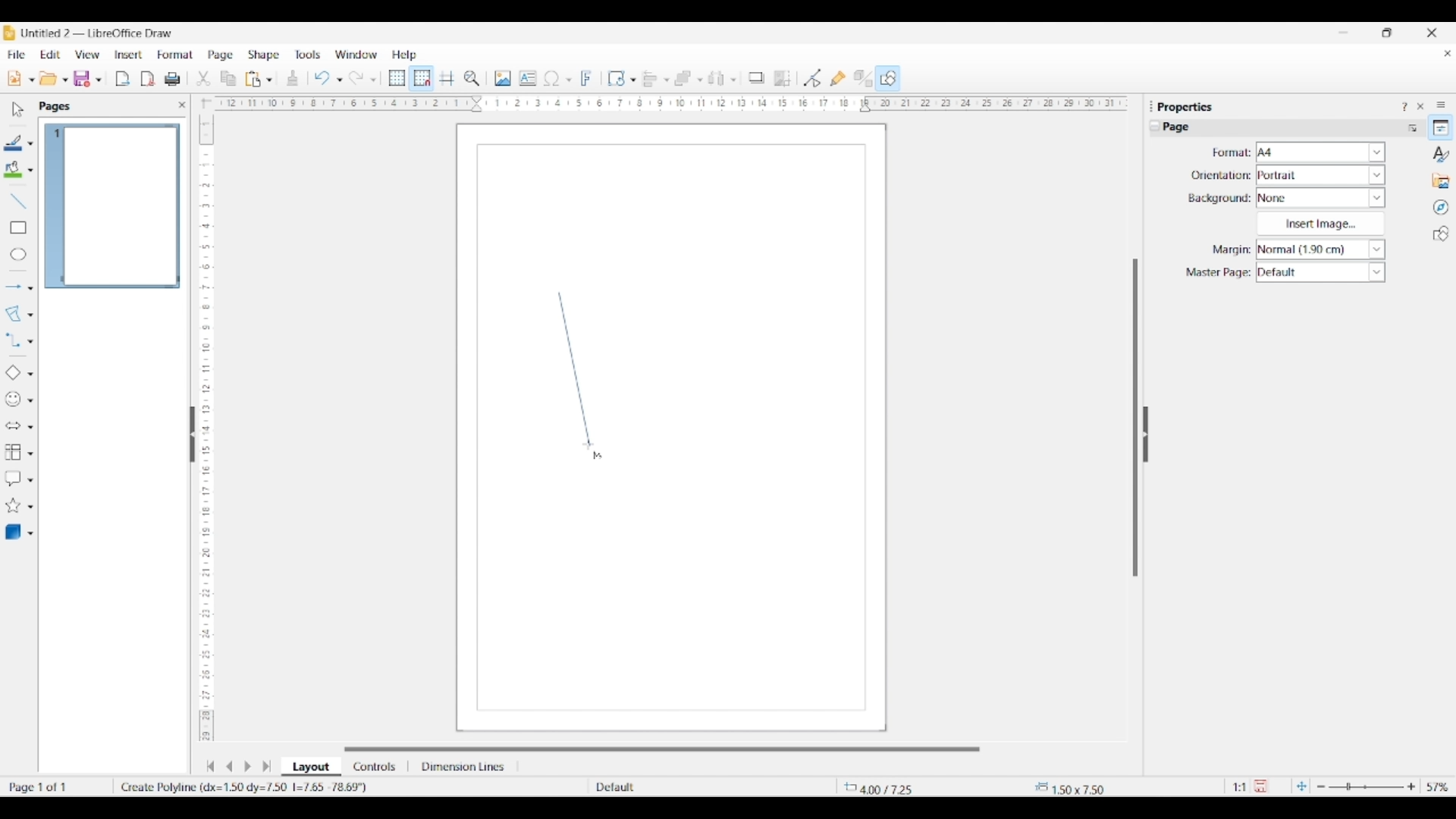 This screenshot has width=1456, height=819. I want to click on Float properties panel, so click(1151, 106).